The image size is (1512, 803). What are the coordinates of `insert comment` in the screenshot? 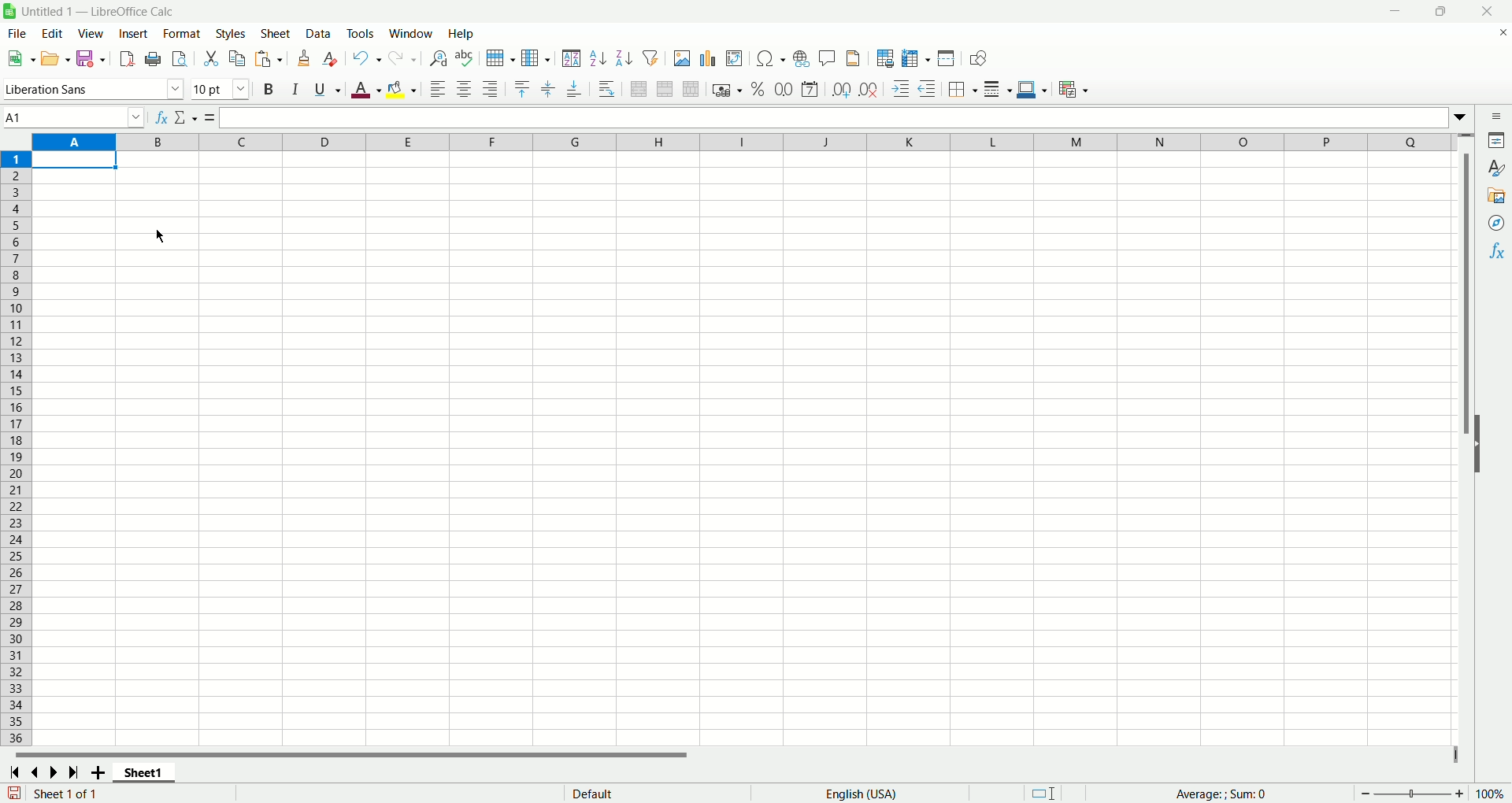 It's located at (828, 57).